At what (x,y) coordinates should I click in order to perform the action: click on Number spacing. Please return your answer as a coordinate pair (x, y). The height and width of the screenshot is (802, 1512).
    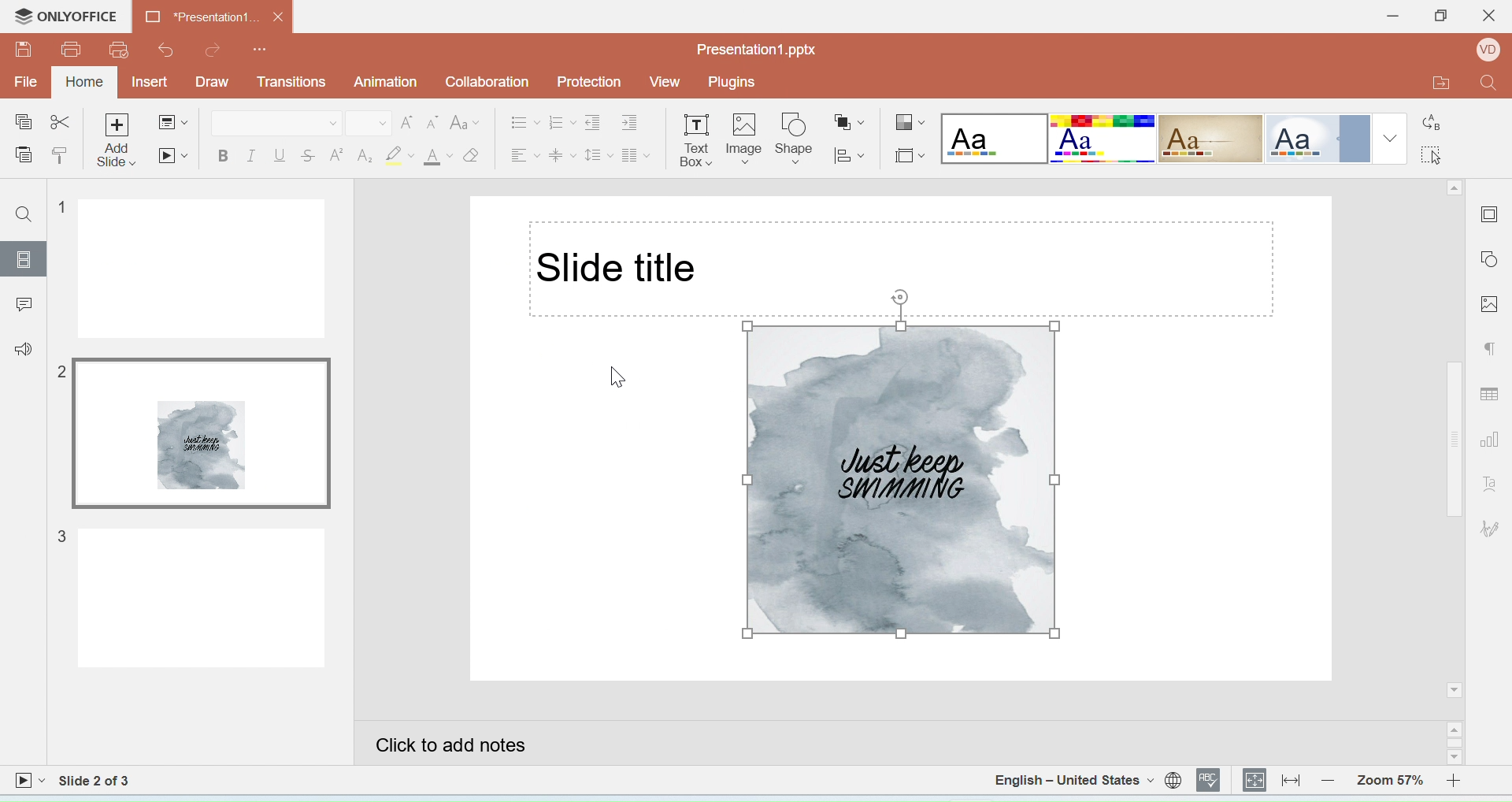
    Looking at the image, I should click on (563, 121).